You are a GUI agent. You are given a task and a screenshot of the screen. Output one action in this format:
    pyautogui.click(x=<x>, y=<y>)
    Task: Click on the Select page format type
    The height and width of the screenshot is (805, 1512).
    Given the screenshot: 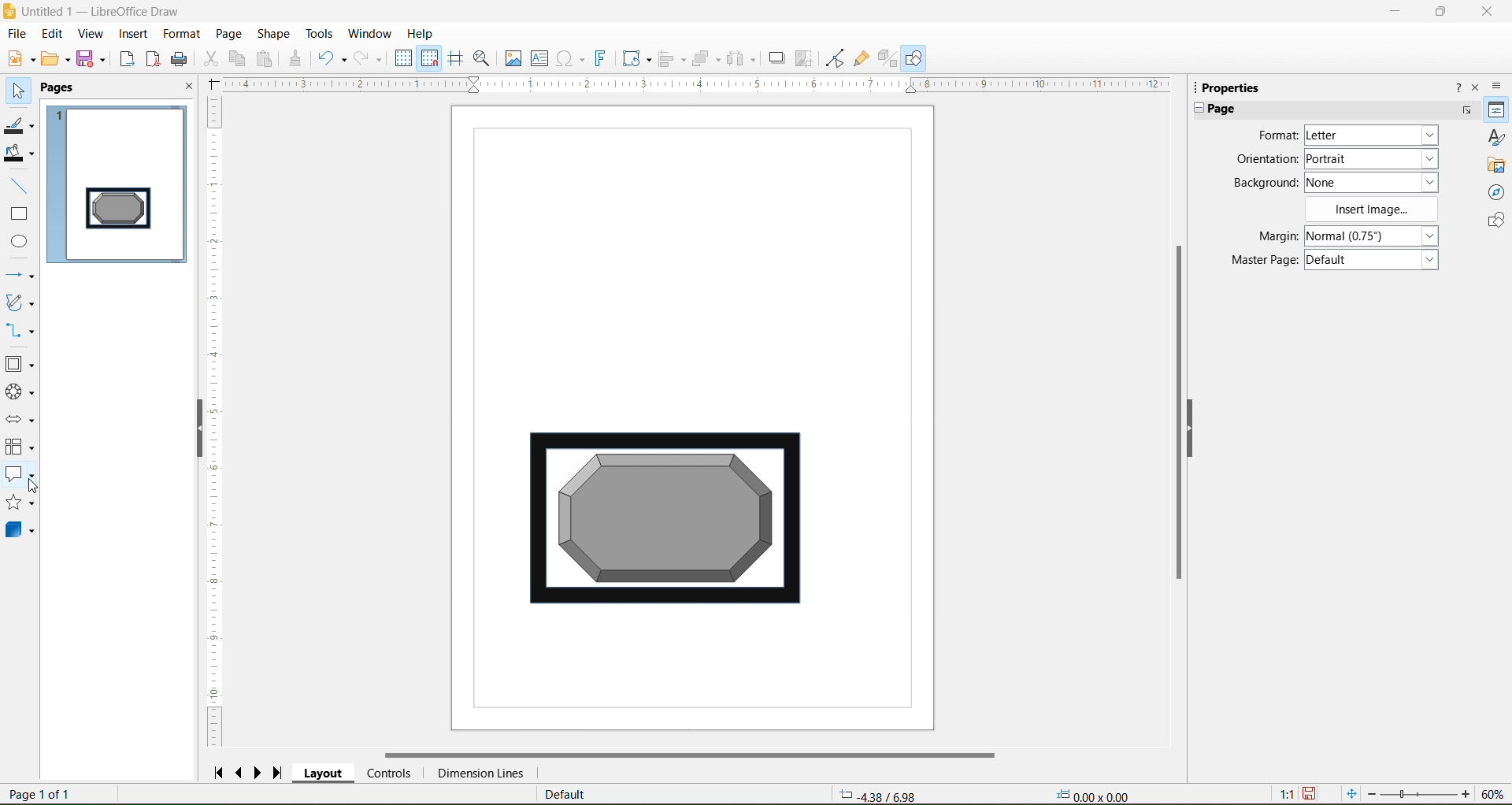 What is the action you would take?
    pyautogui.click(x=1369, y=135)
    